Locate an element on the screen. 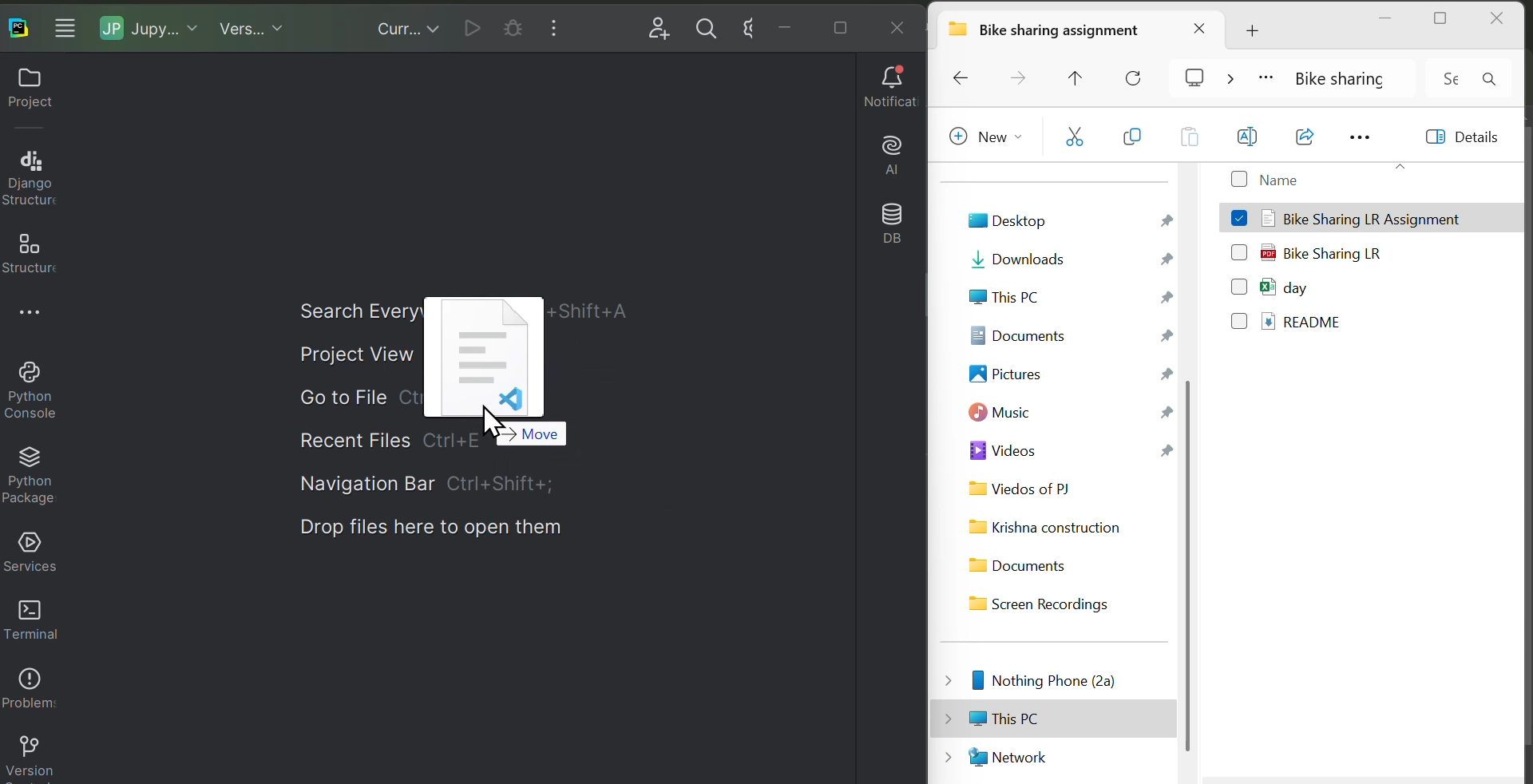  Pictures is located at coordinates (1067, 373).